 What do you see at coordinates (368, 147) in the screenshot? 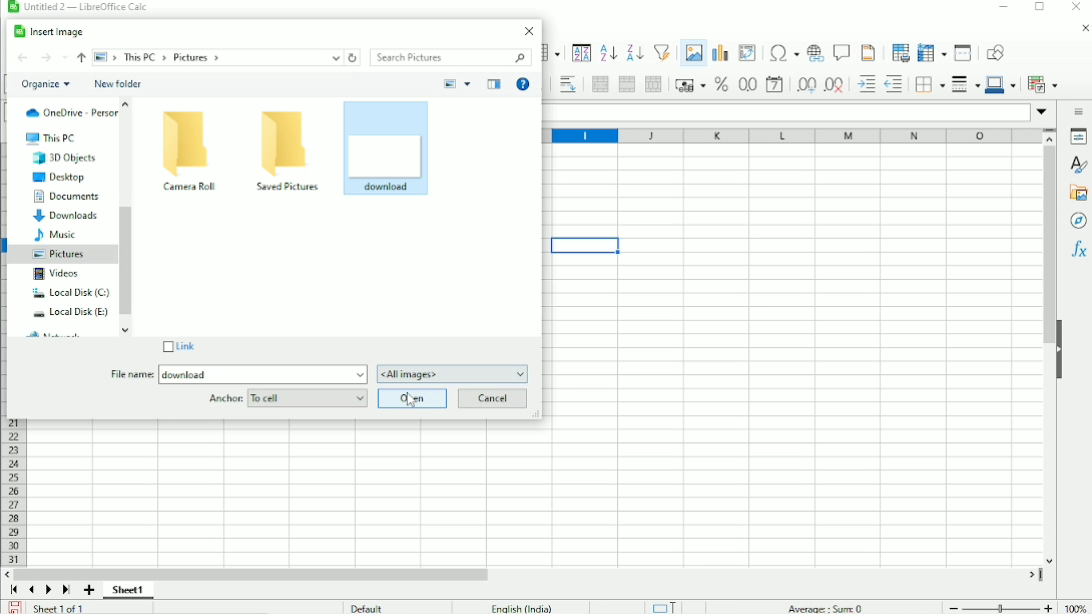
I see `download` at bounding box center [368, 147].